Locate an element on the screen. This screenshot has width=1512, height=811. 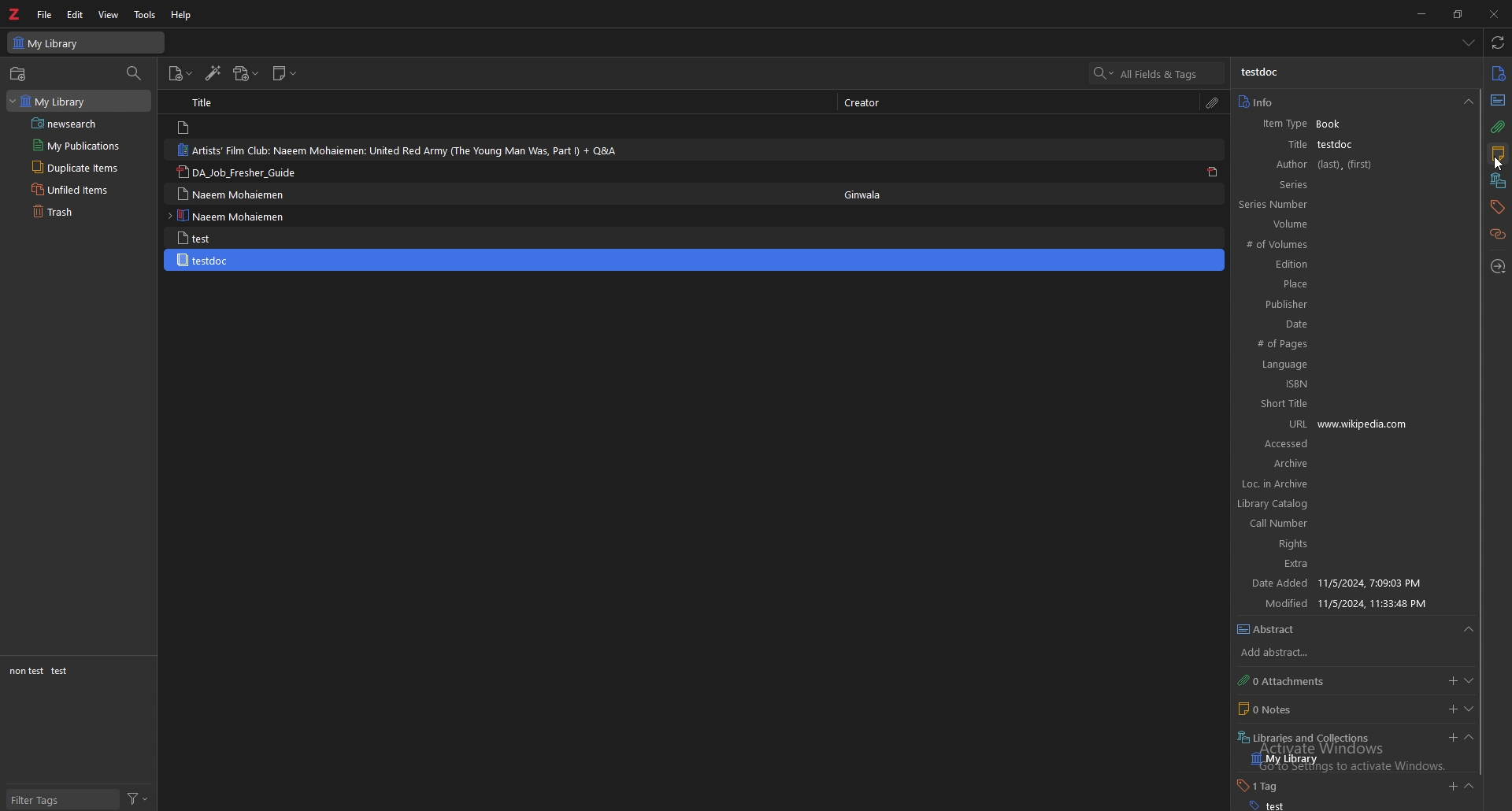
search all fields & tags is located at coordinates (1158, 73).